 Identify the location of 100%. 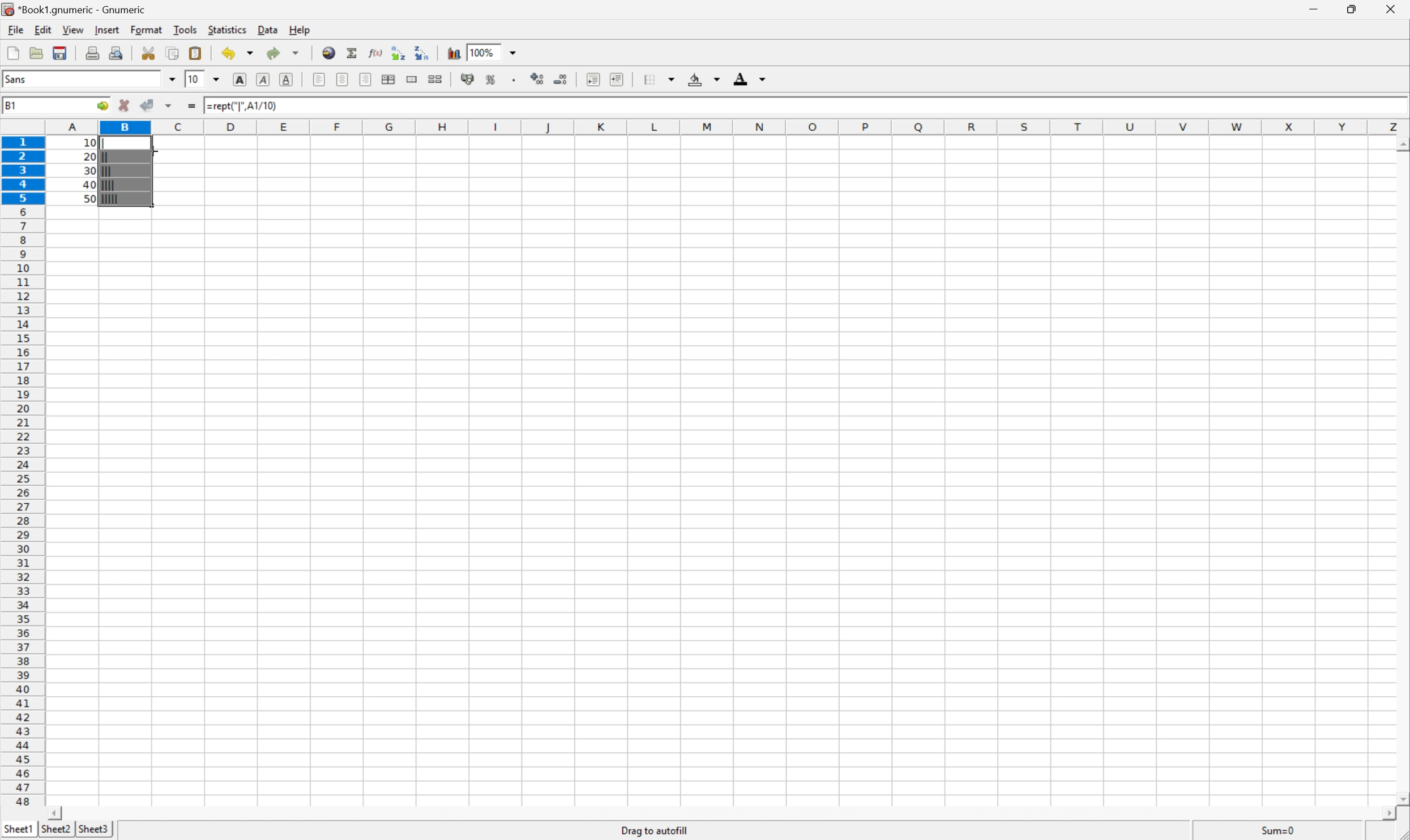
(483, 52).